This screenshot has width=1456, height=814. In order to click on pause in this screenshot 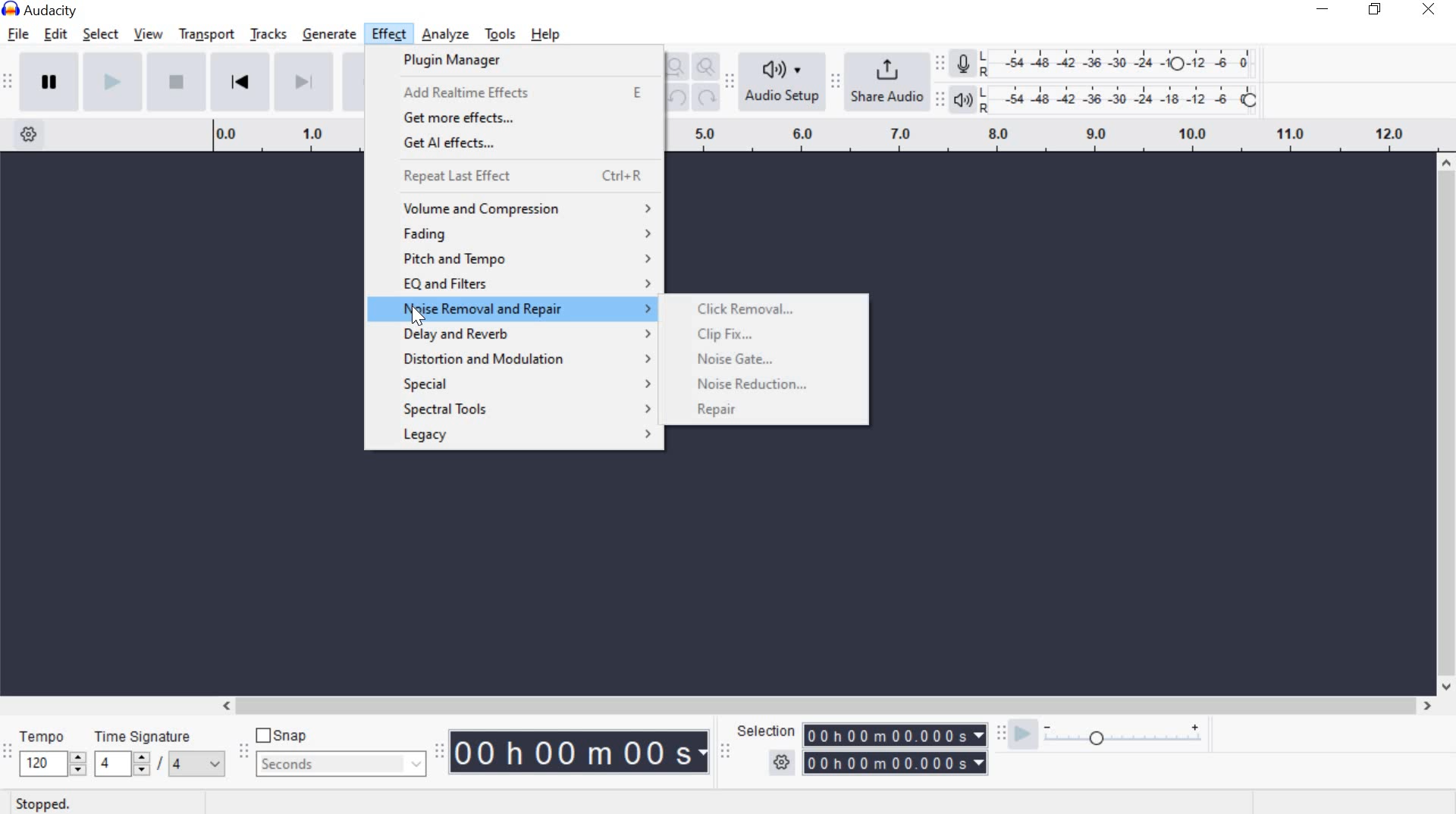, I will do `click(51, 84)`.